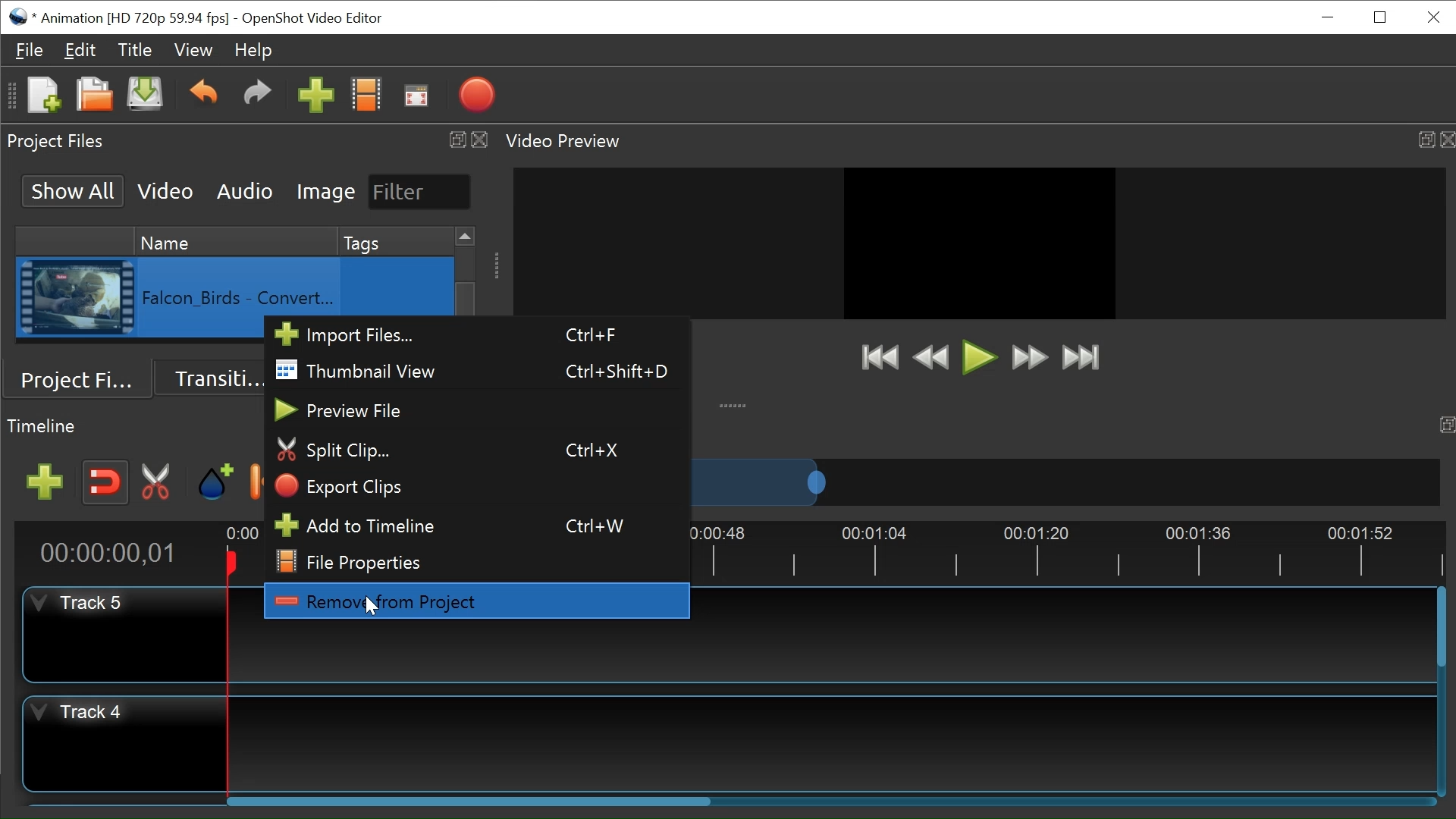  I want to click on Choose Files, so click(367, 96).